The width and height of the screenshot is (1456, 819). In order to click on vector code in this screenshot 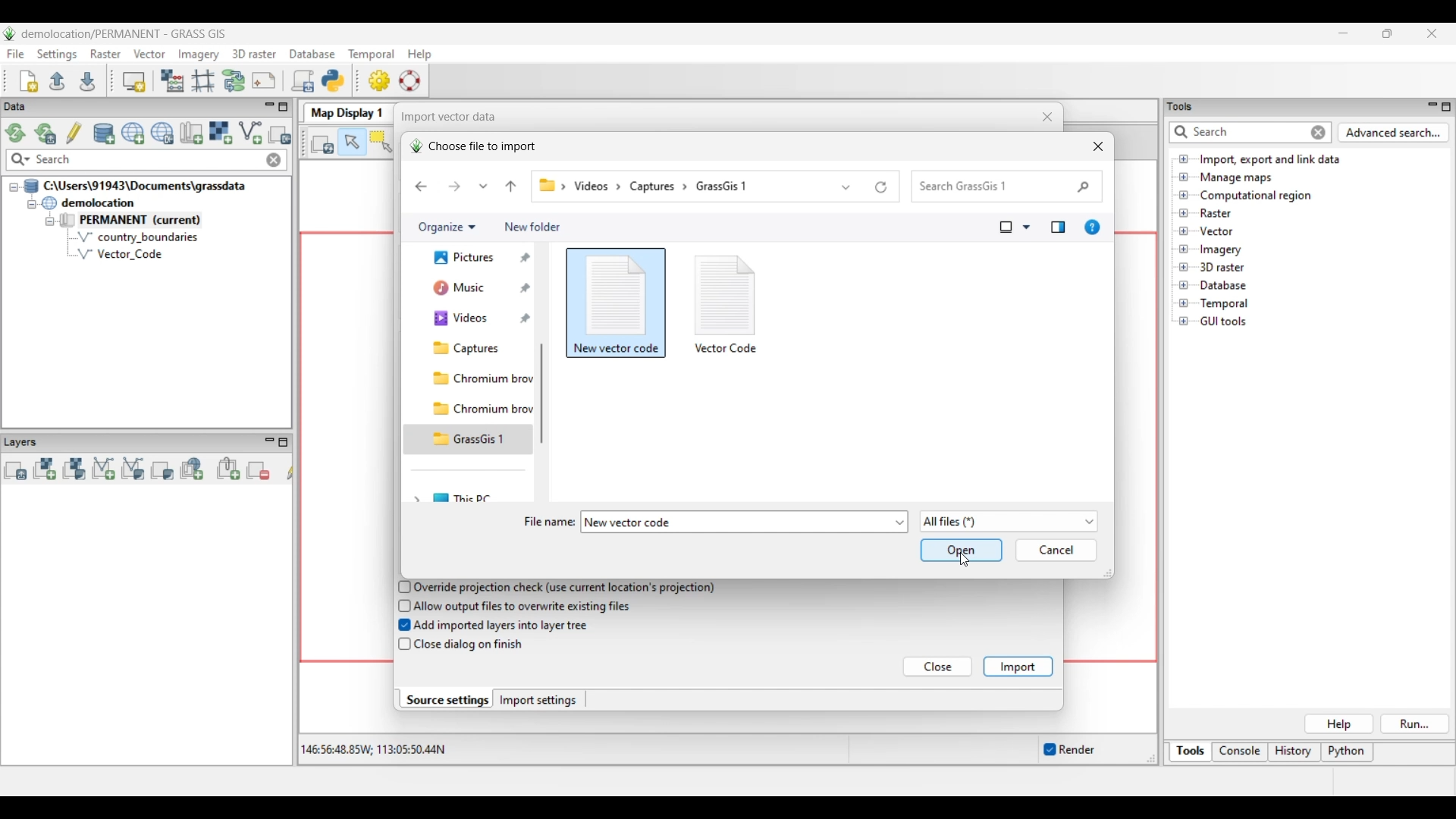, I will do `click(731, 350)`.